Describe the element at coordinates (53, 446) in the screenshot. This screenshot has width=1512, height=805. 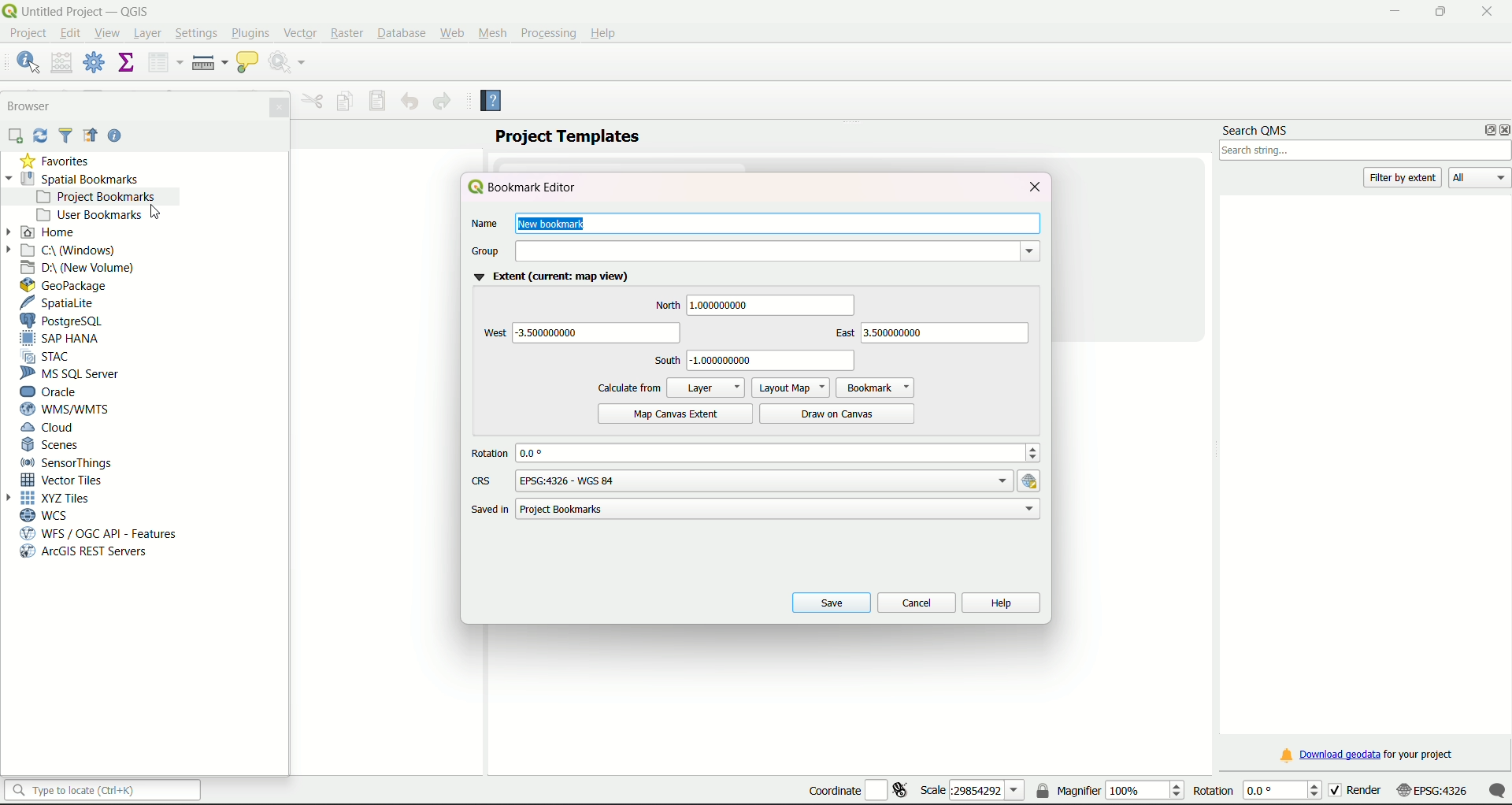
I see `Scenes` at that location.